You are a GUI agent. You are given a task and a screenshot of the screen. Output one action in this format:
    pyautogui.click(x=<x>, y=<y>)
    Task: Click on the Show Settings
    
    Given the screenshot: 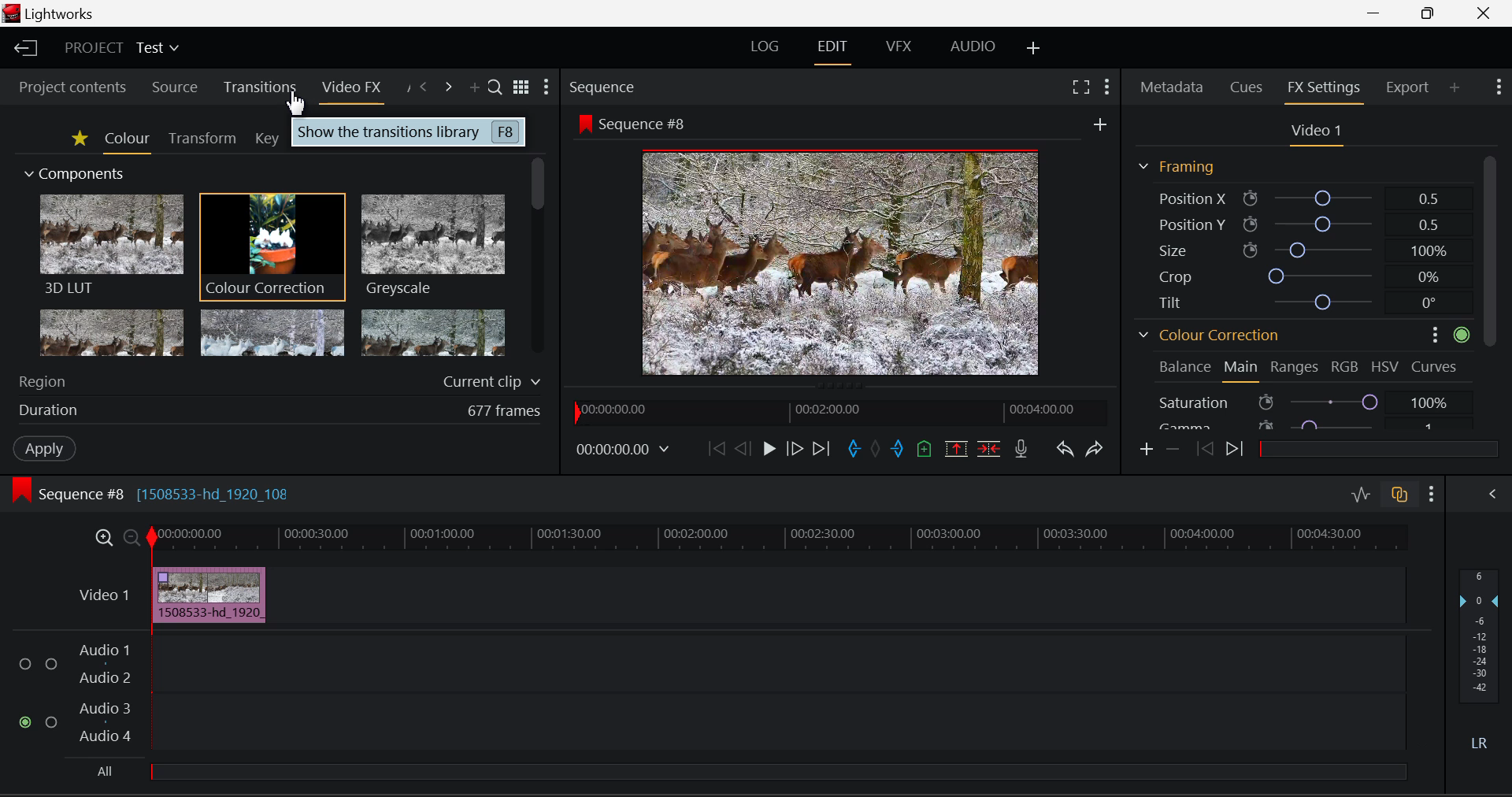 What is the action you would take?
    pyautogui.click(x=1106, y=87)
    